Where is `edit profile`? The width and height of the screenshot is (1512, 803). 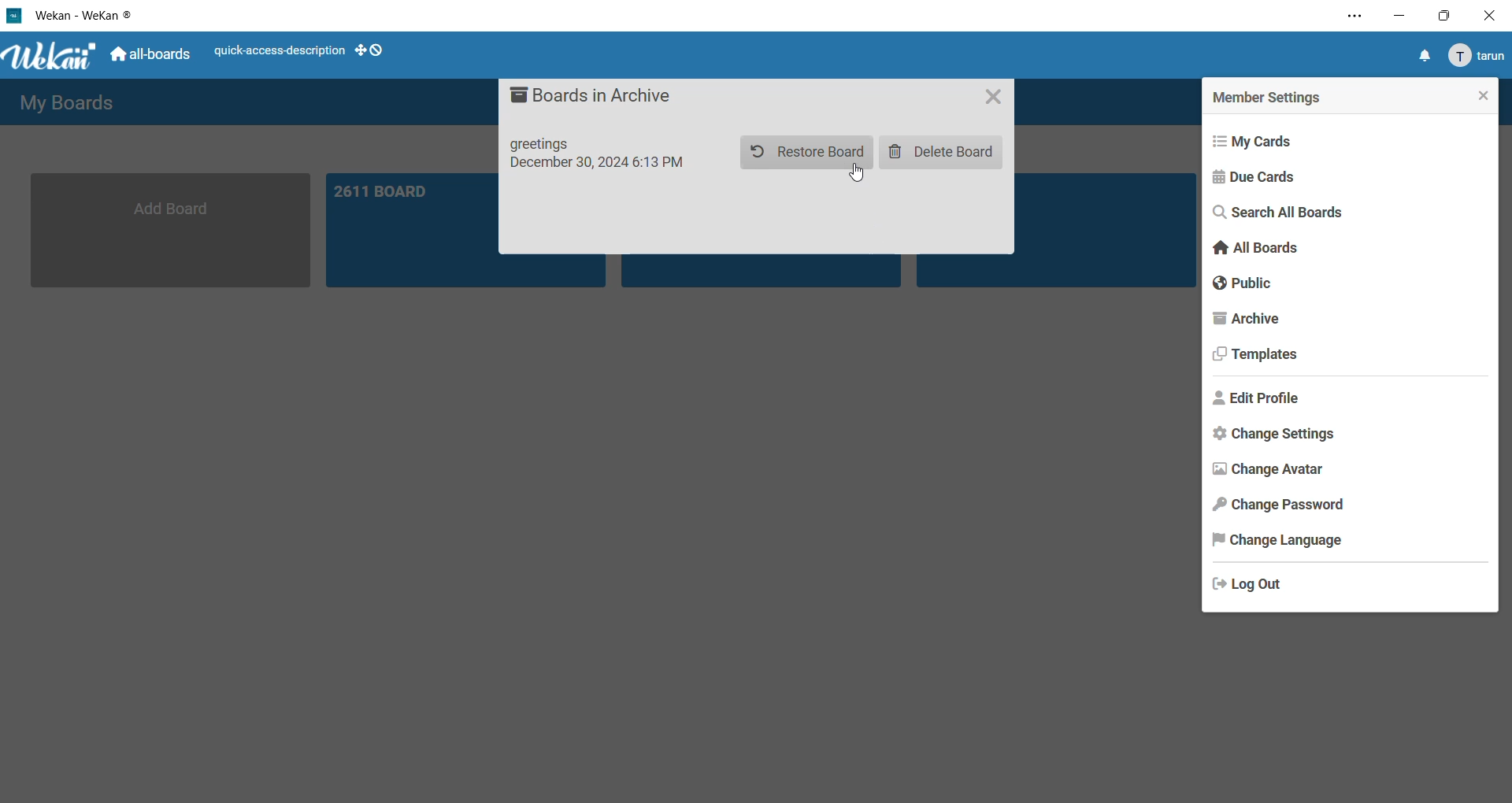 edit profile is located at coordinates (1262, 399).